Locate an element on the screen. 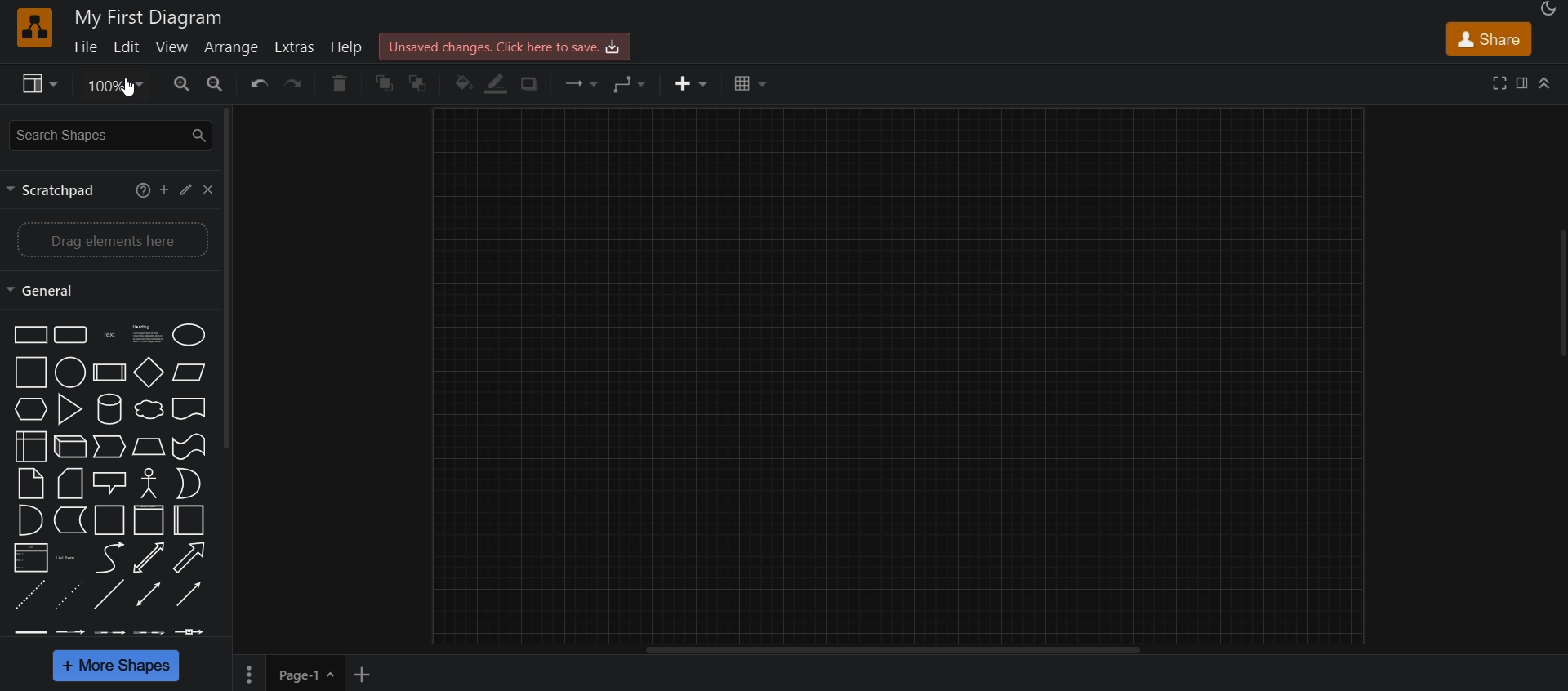 The width and height of the screenshot is (1568, 691). to front is located at coordinates (385, 85).